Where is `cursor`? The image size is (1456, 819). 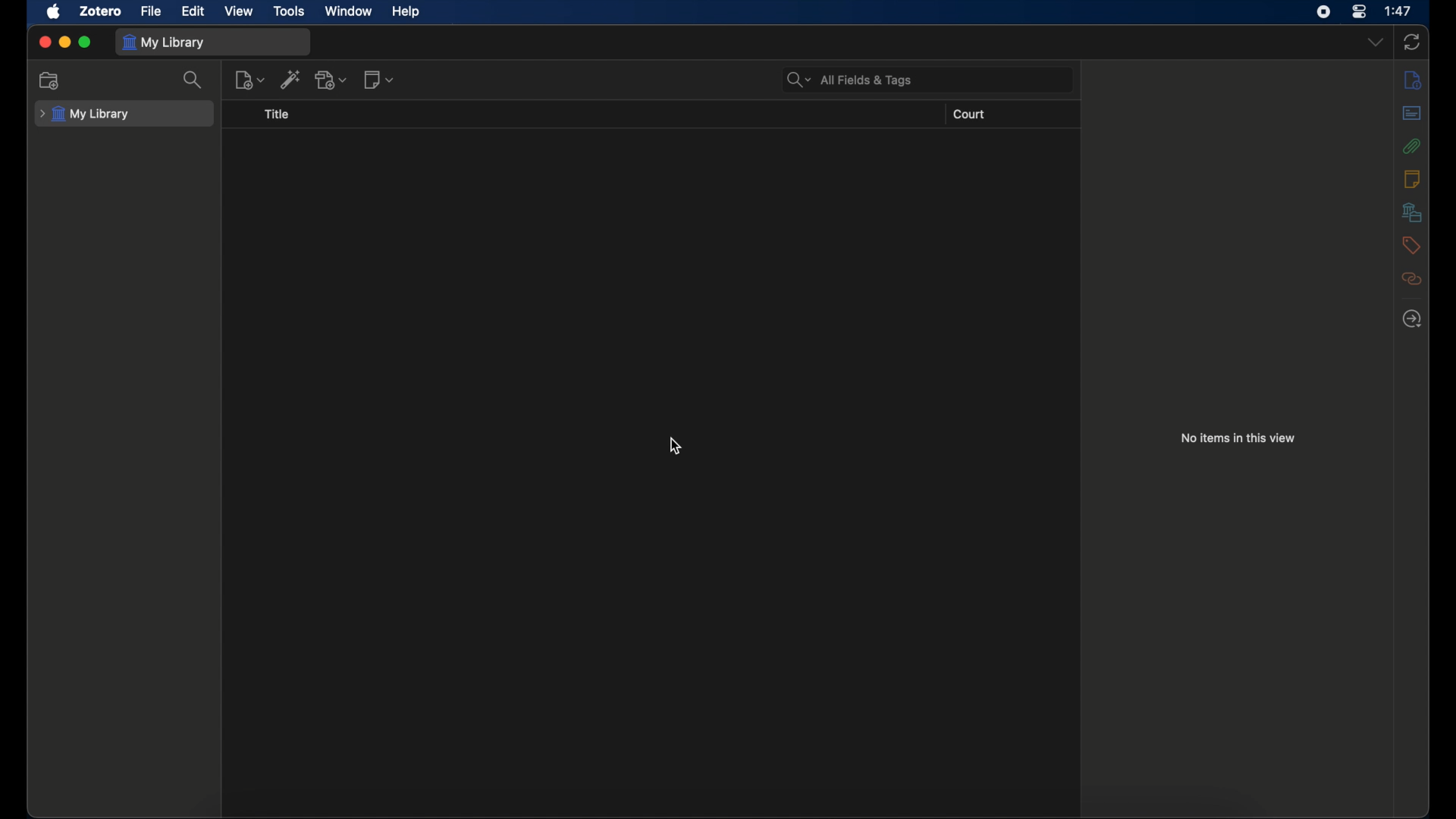 cursor is located at coordinates (675, 445).